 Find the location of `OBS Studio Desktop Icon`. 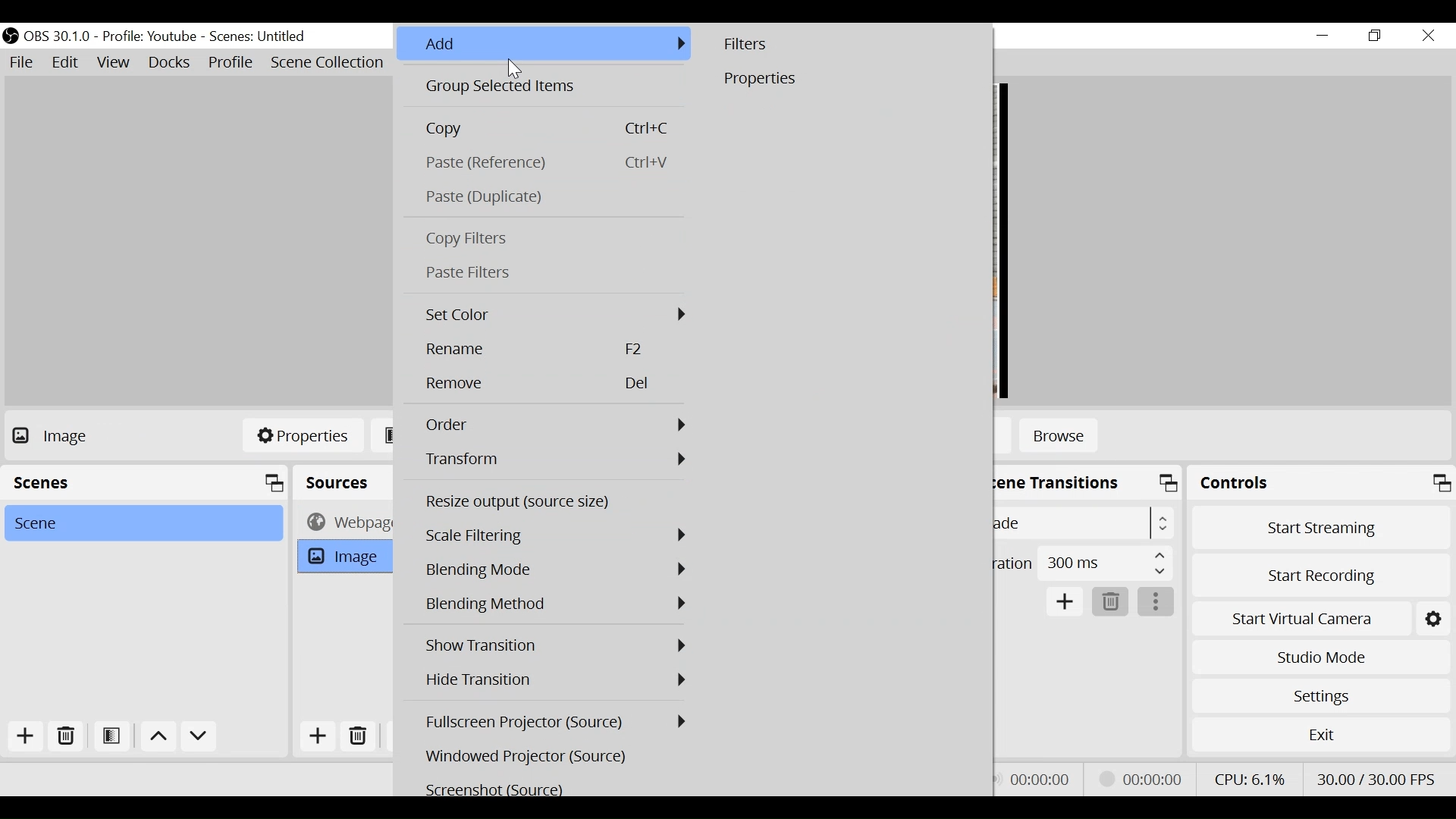

OBS Studio Desktop Icon is located at coordinates (10, 36).